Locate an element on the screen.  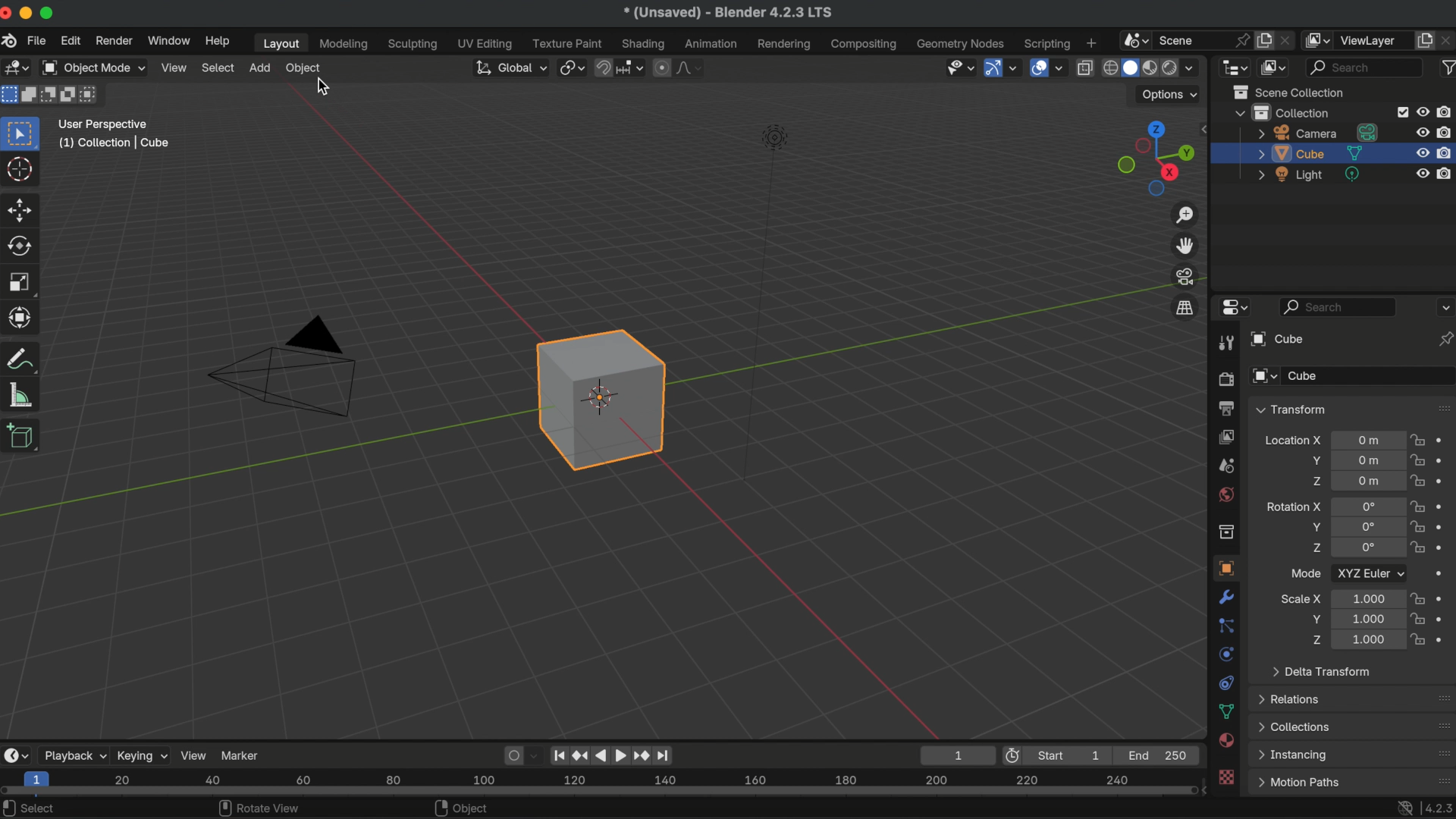
location Y is located at coordinates (1313, 460).